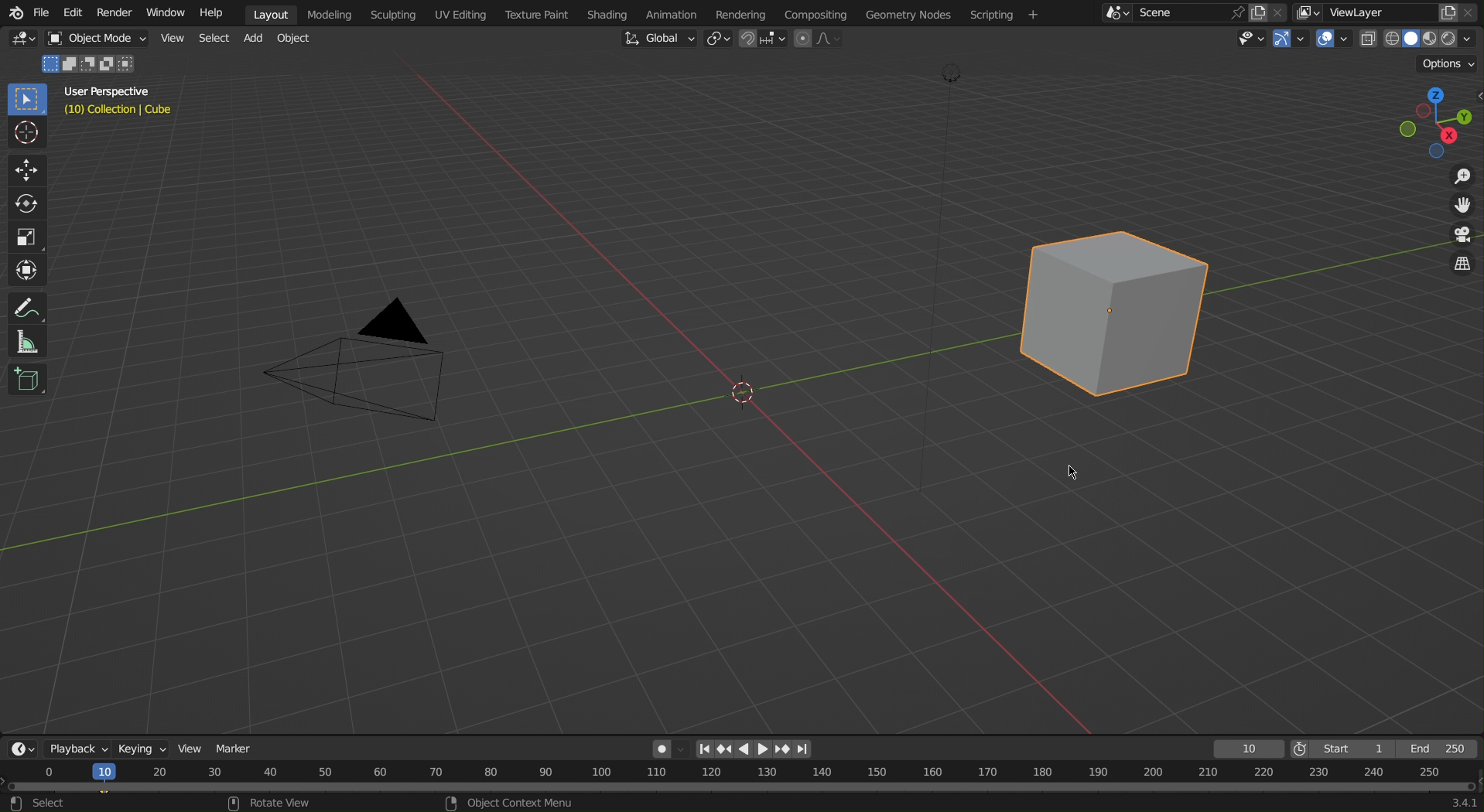 The width and height of the screenshot is (1484, 812). Describe the element at coordinates (918, 13) in the screenshot. I see `Geometry Nodes` at that location.